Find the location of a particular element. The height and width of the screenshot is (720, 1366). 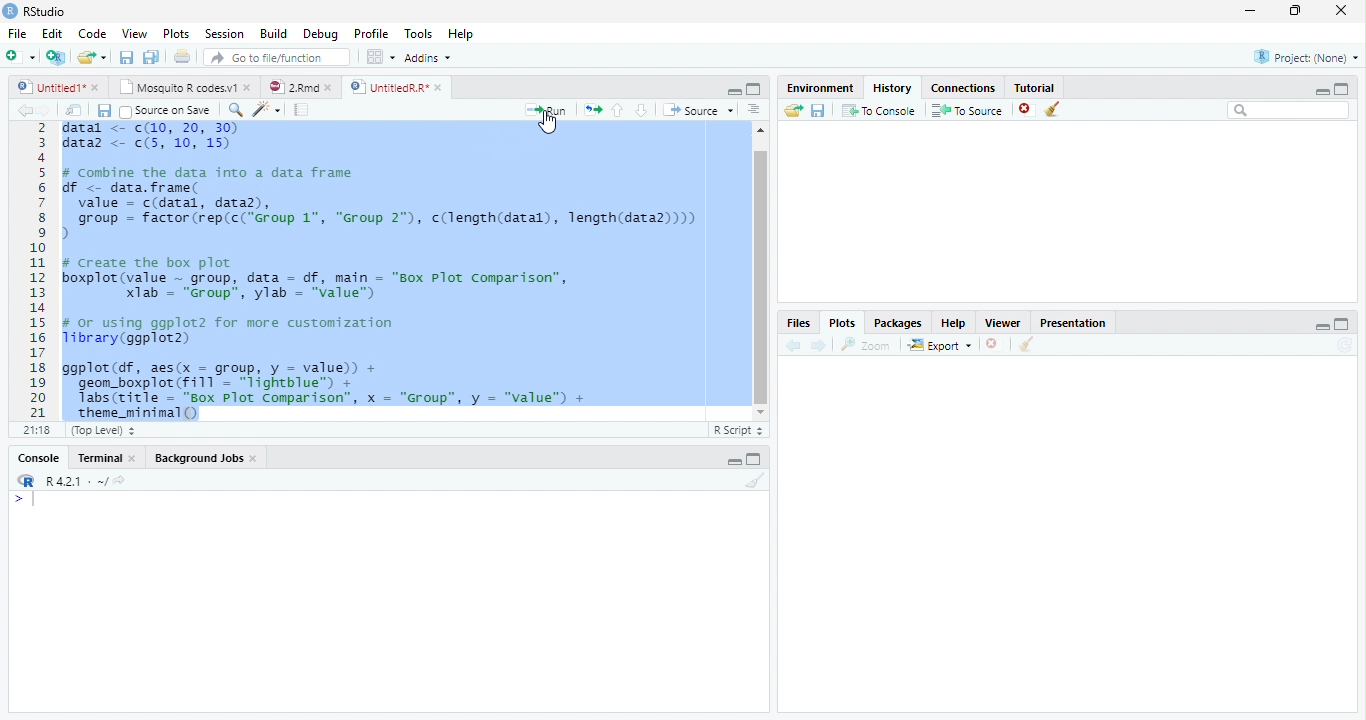

Minimize is located at coordinates (733, 92).